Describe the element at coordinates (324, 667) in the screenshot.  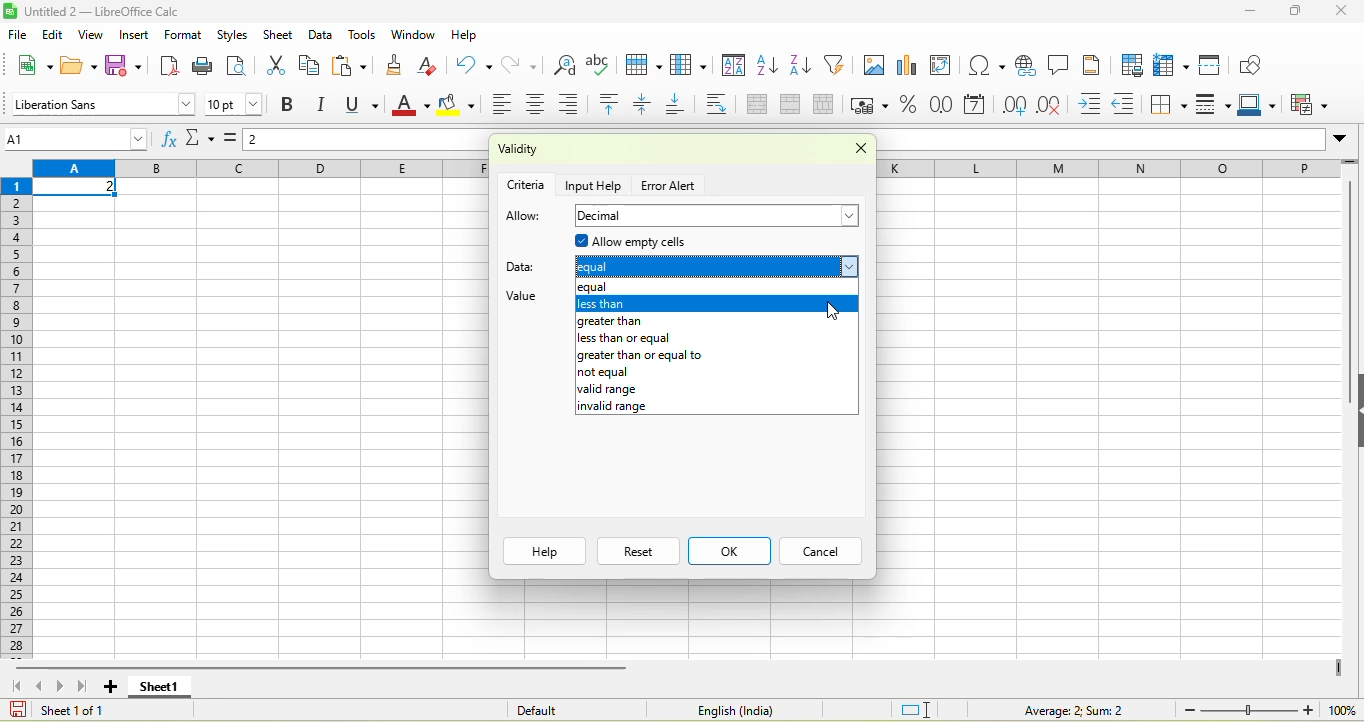
I see `horizontal scroll bar` at that location.